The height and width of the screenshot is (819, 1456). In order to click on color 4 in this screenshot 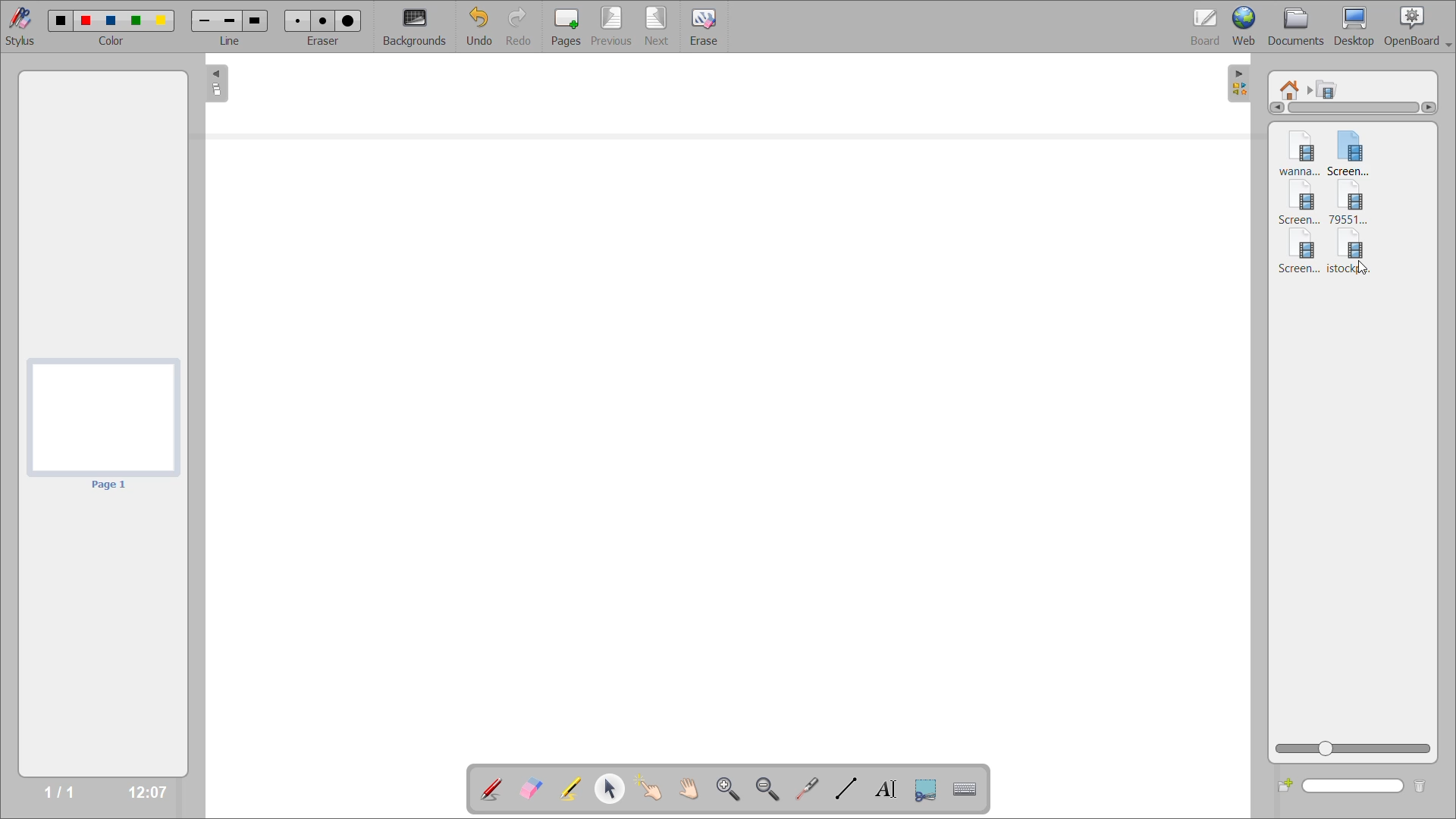, I will do `click(137, 22)`.